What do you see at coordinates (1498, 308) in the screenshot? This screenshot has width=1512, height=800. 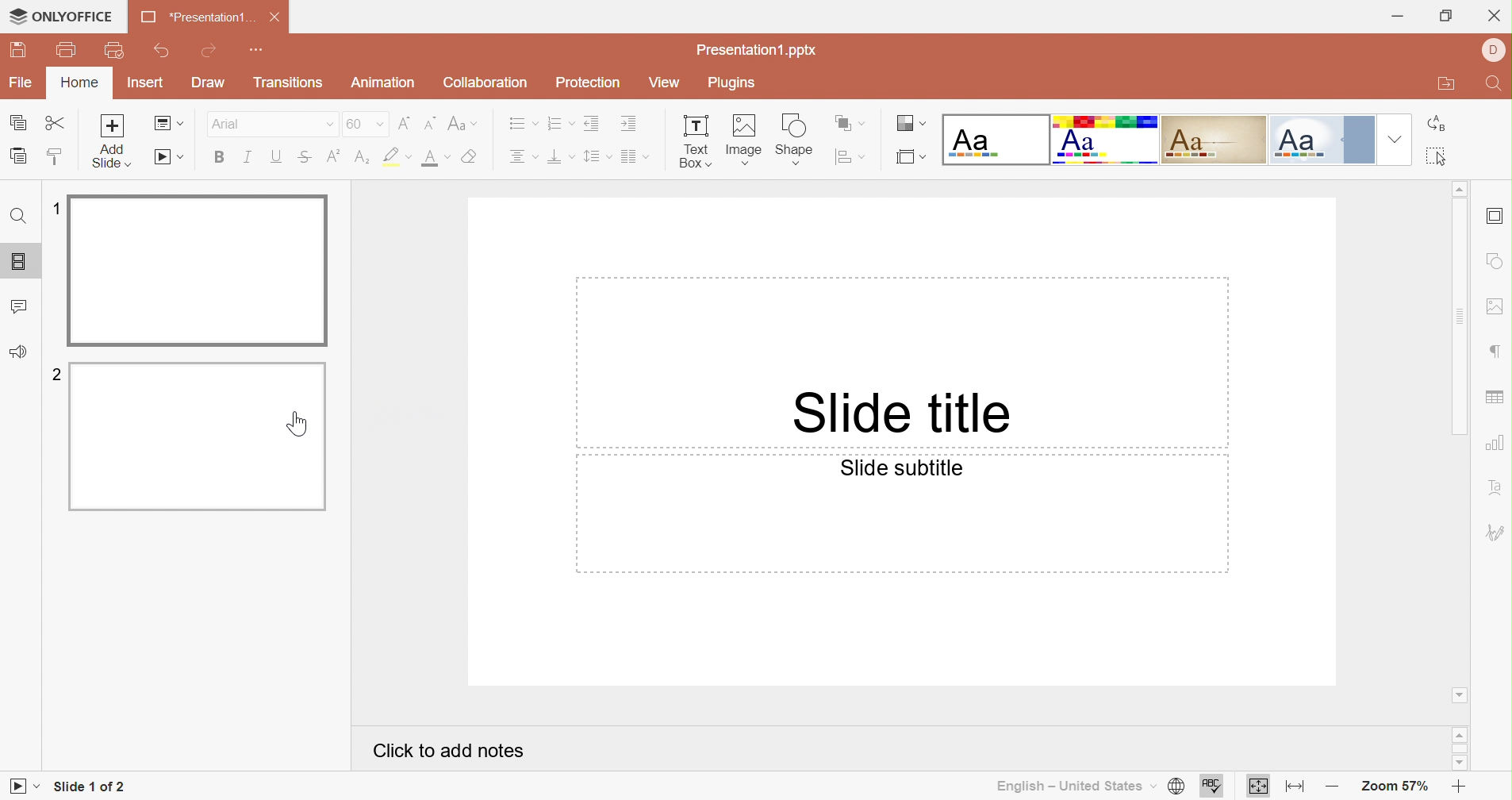 I see `Image settings` at bounding box center [1498, 308].